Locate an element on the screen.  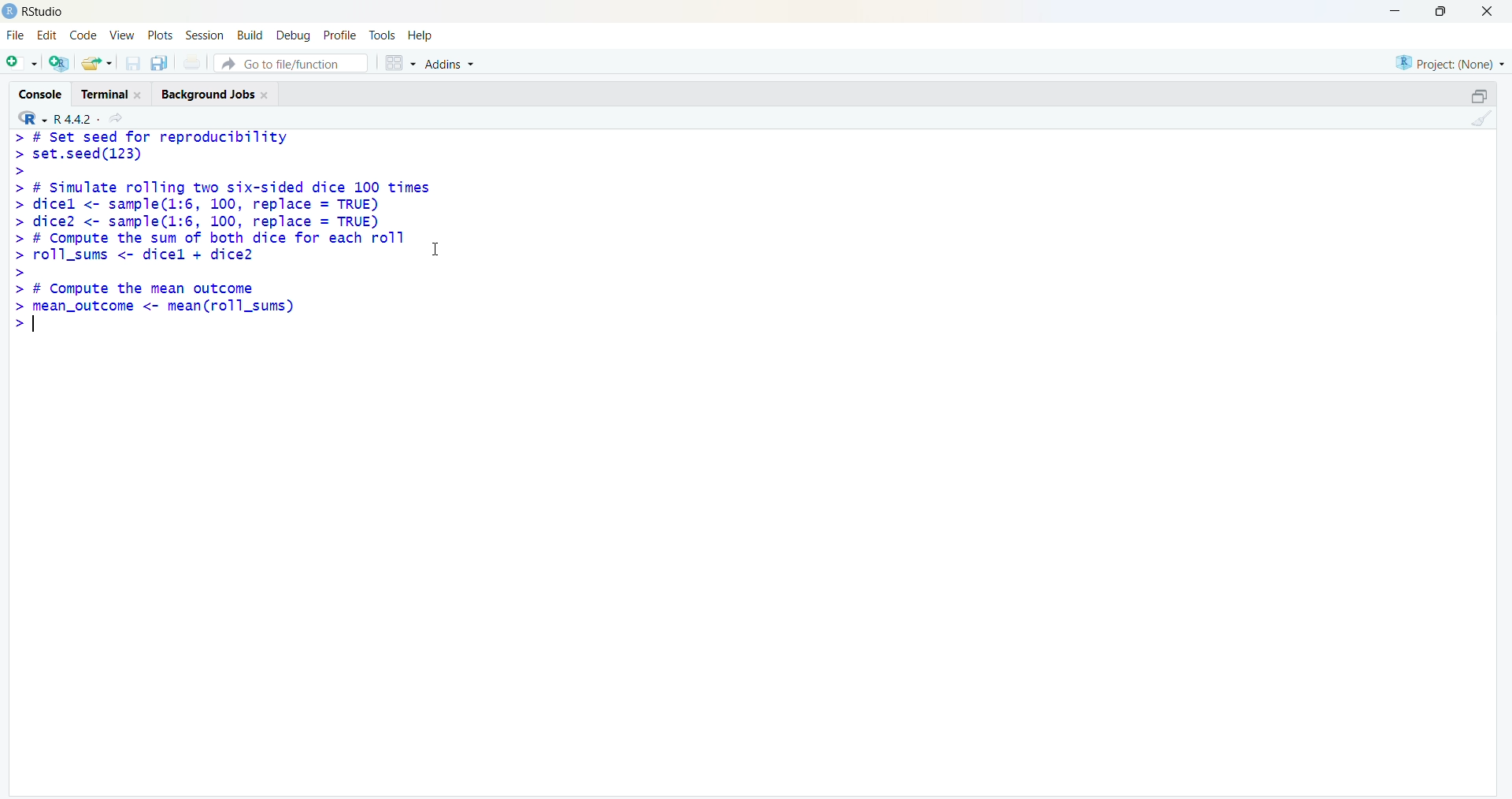
grid is located at coordinates (401, 63).